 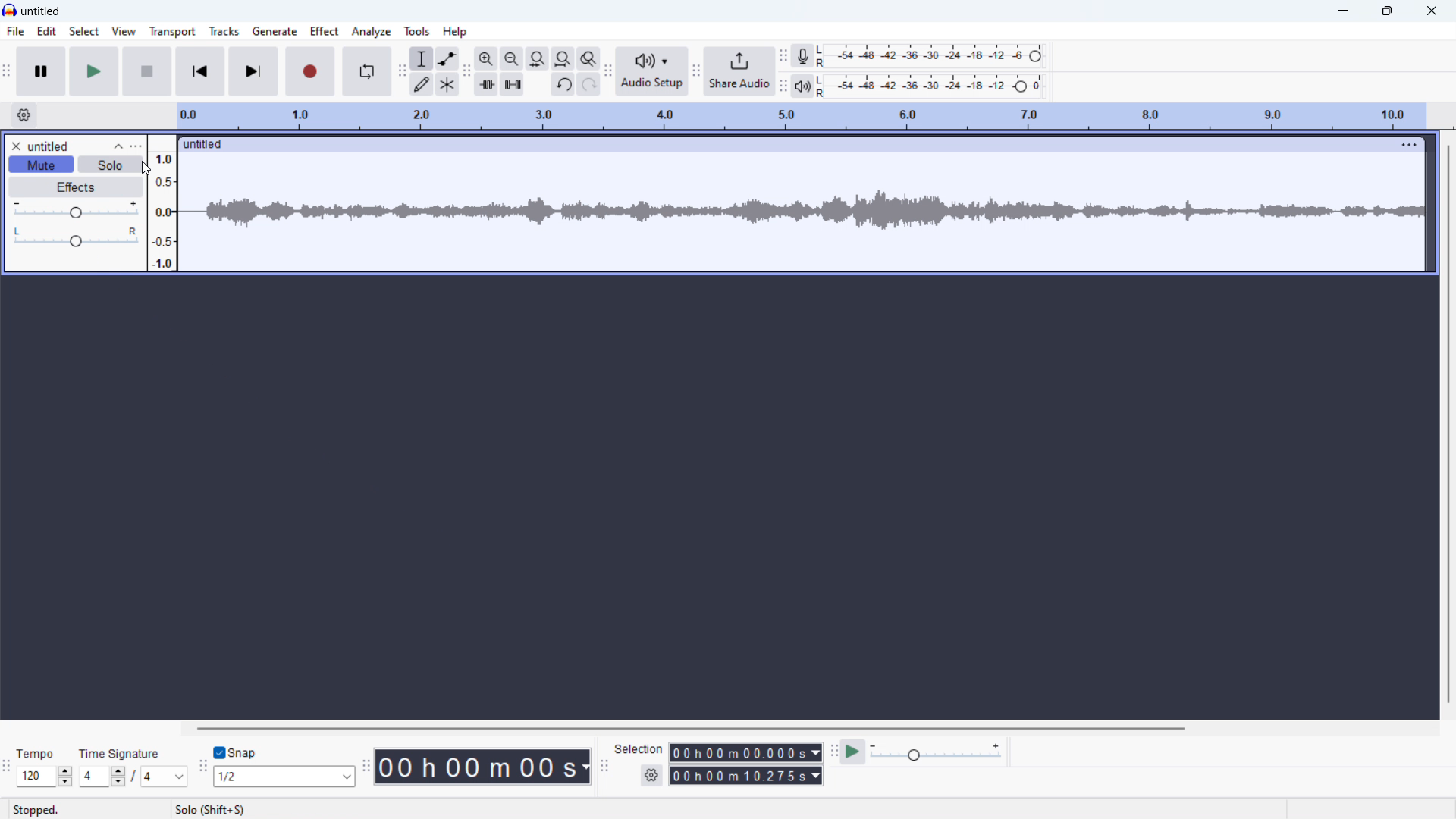 What do you see at coordinates (163, 203) in the screenshot?
I see `amplitude` at bounding box center [163, 203].